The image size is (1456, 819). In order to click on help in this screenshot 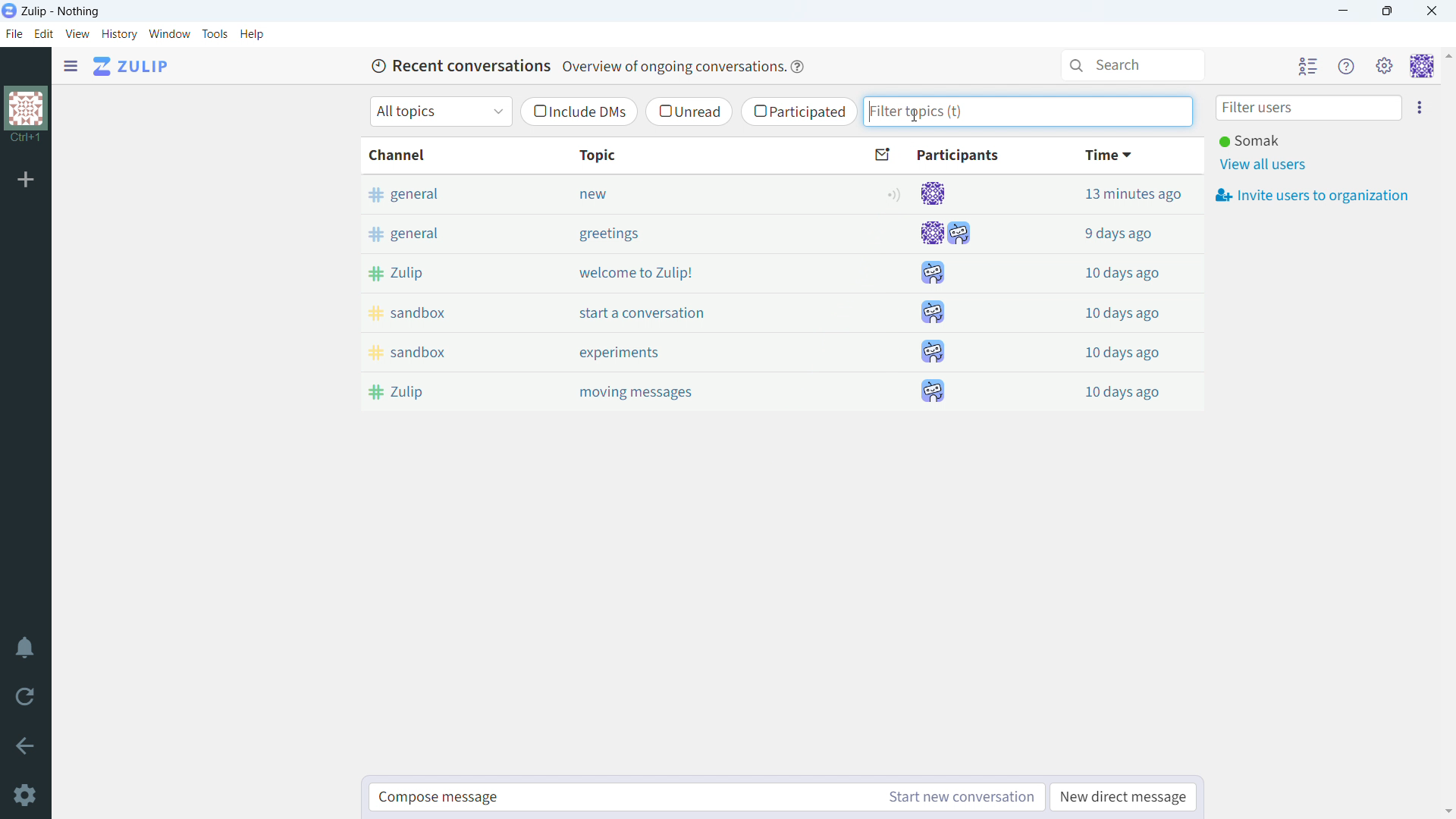, I will do `click(798, 67)`.